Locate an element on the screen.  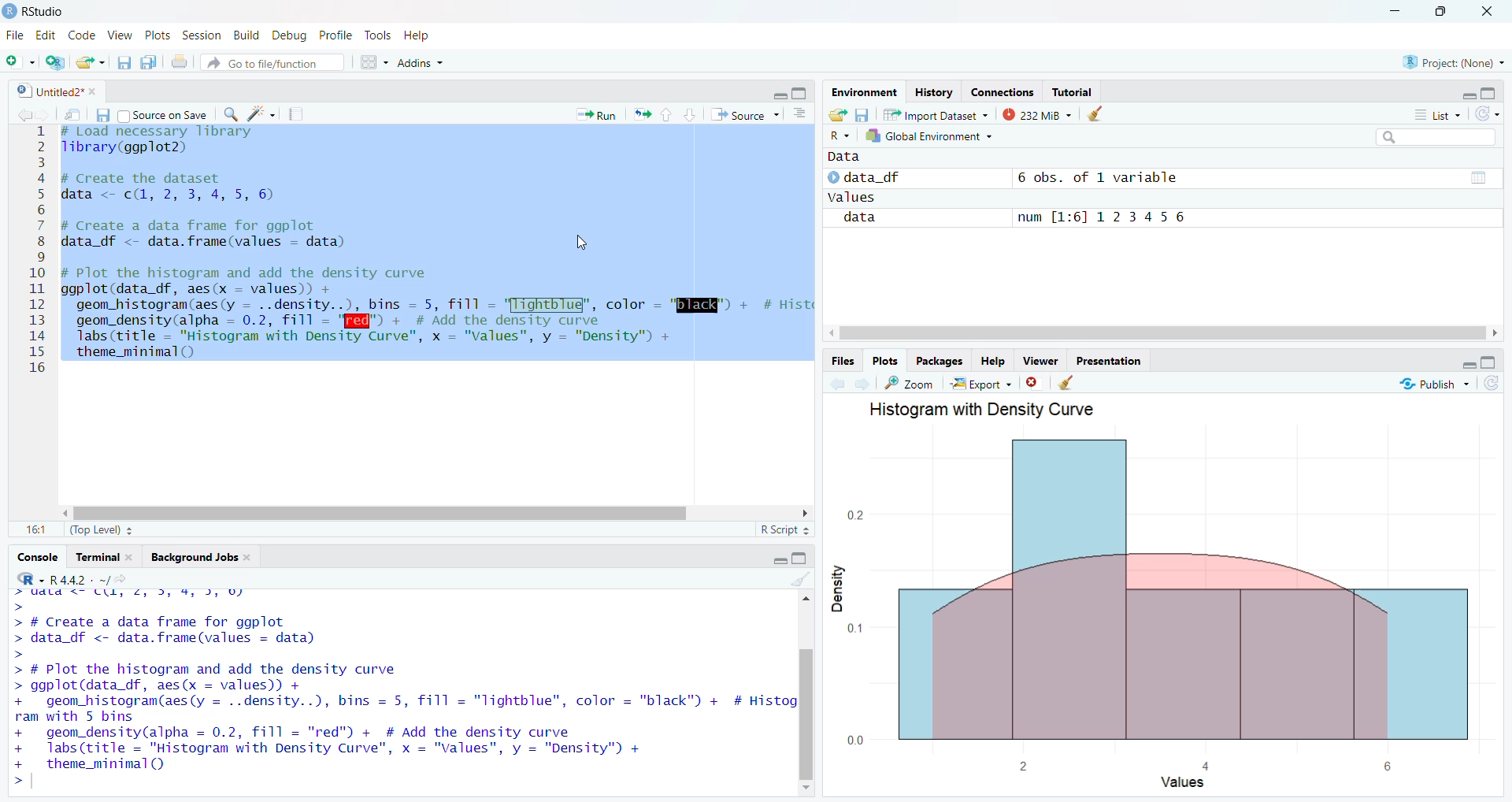
new file is located at coordinates (19, 63).